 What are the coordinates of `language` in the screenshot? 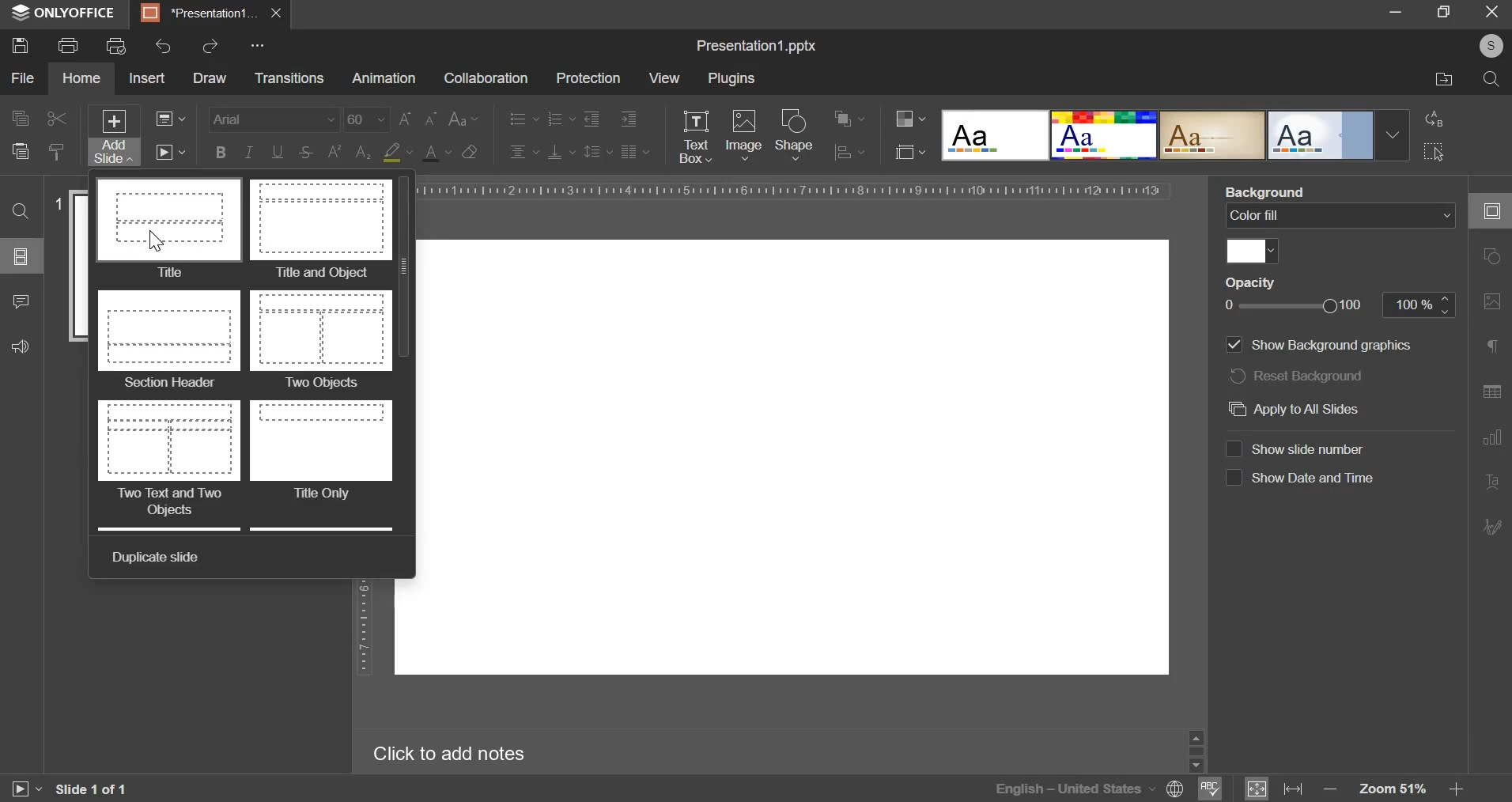 It's located at (1074, 789).